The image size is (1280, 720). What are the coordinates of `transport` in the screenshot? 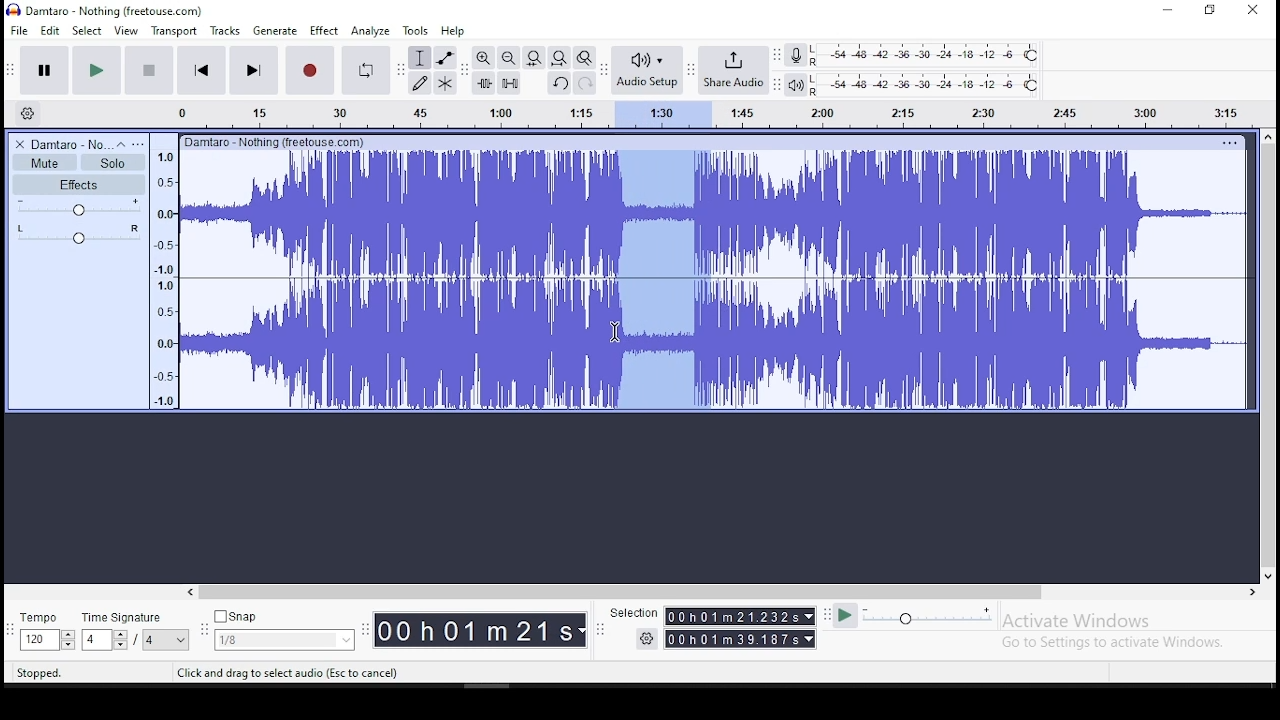 It's located at (174, 31).